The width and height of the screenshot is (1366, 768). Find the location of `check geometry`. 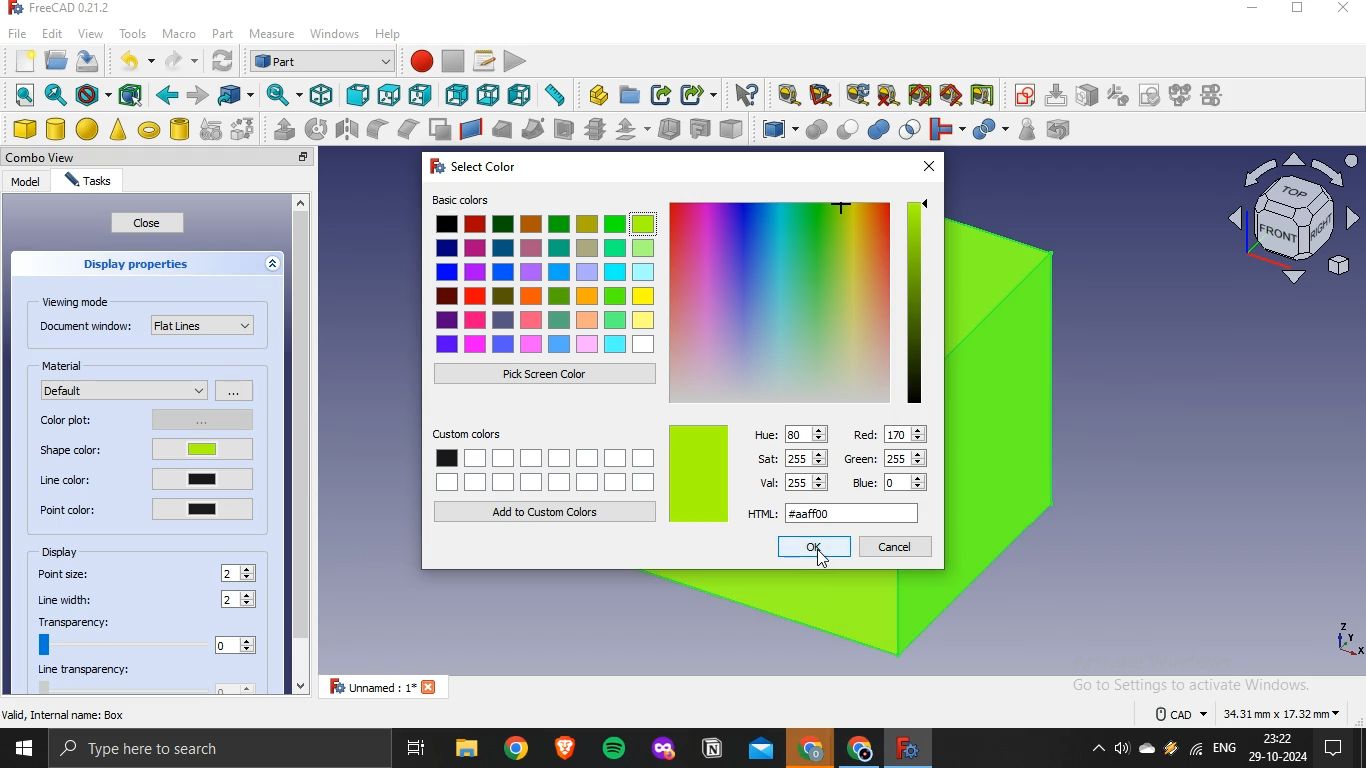

check geometry is located at coordinates (1026, 129).